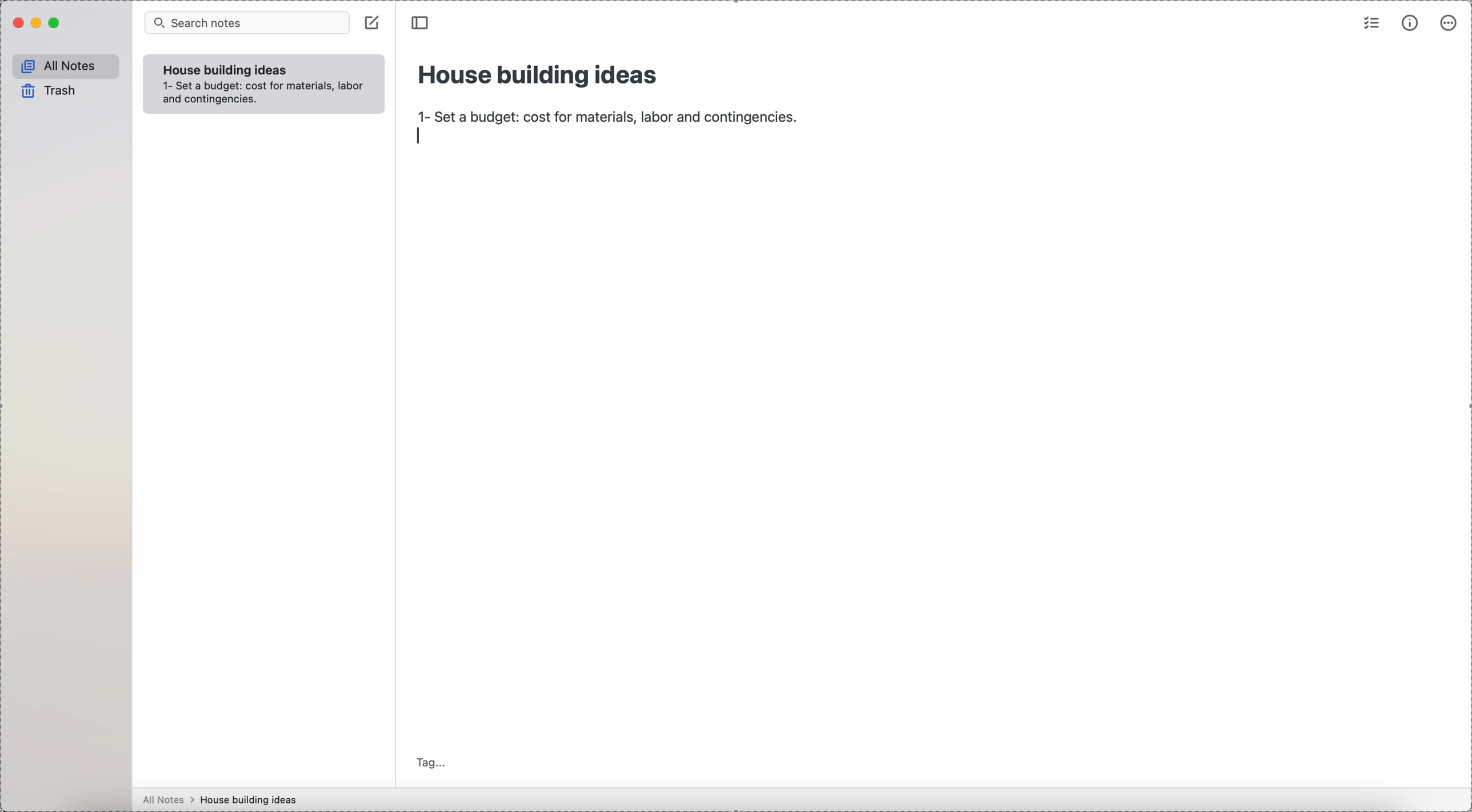 The width and height of the screenshot is (1472, 812). I want to click on check list, so click(1370, 25).